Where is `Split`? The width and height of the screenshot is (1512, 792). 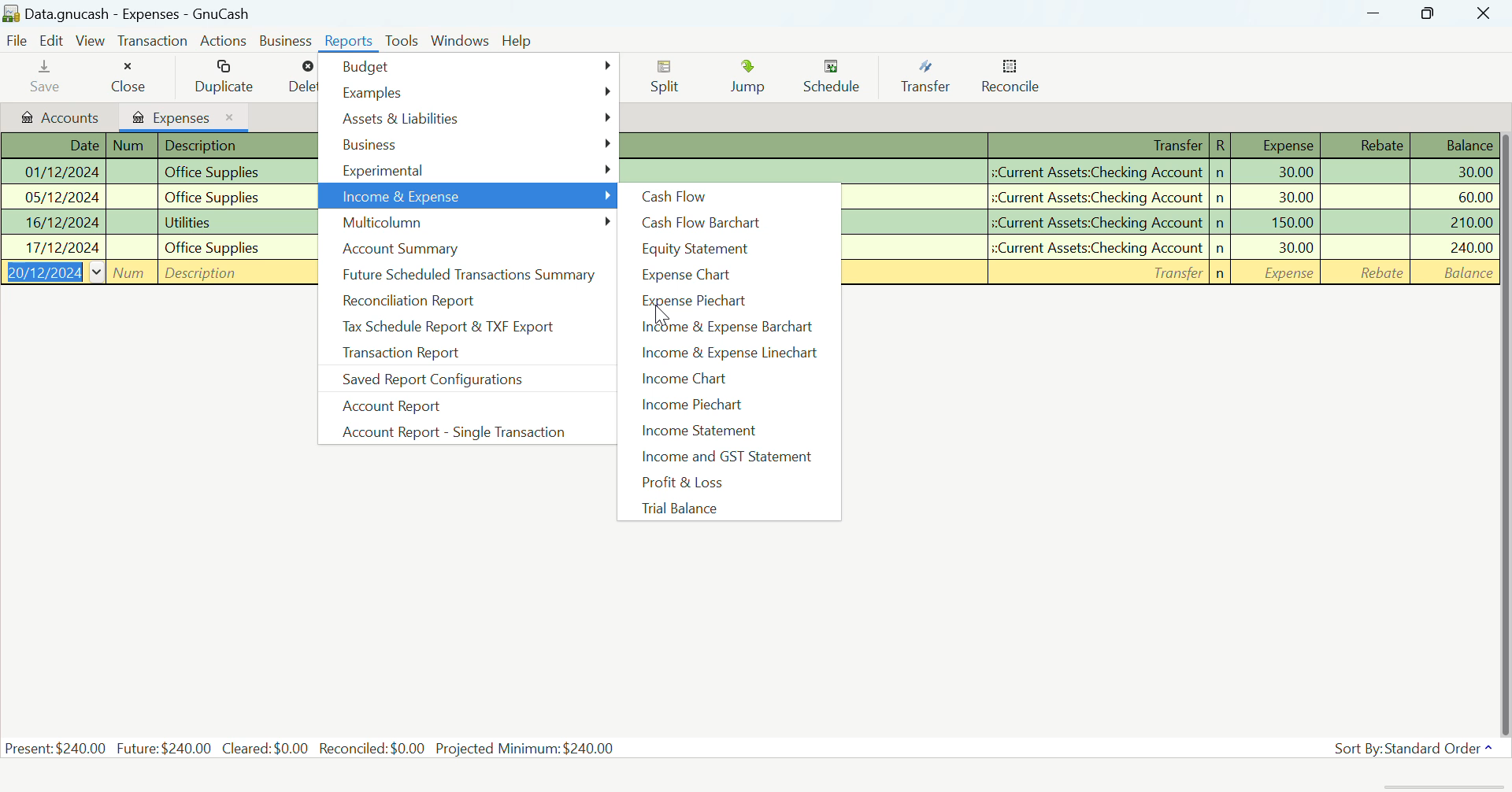 Split is located at coordinates (668, 78).